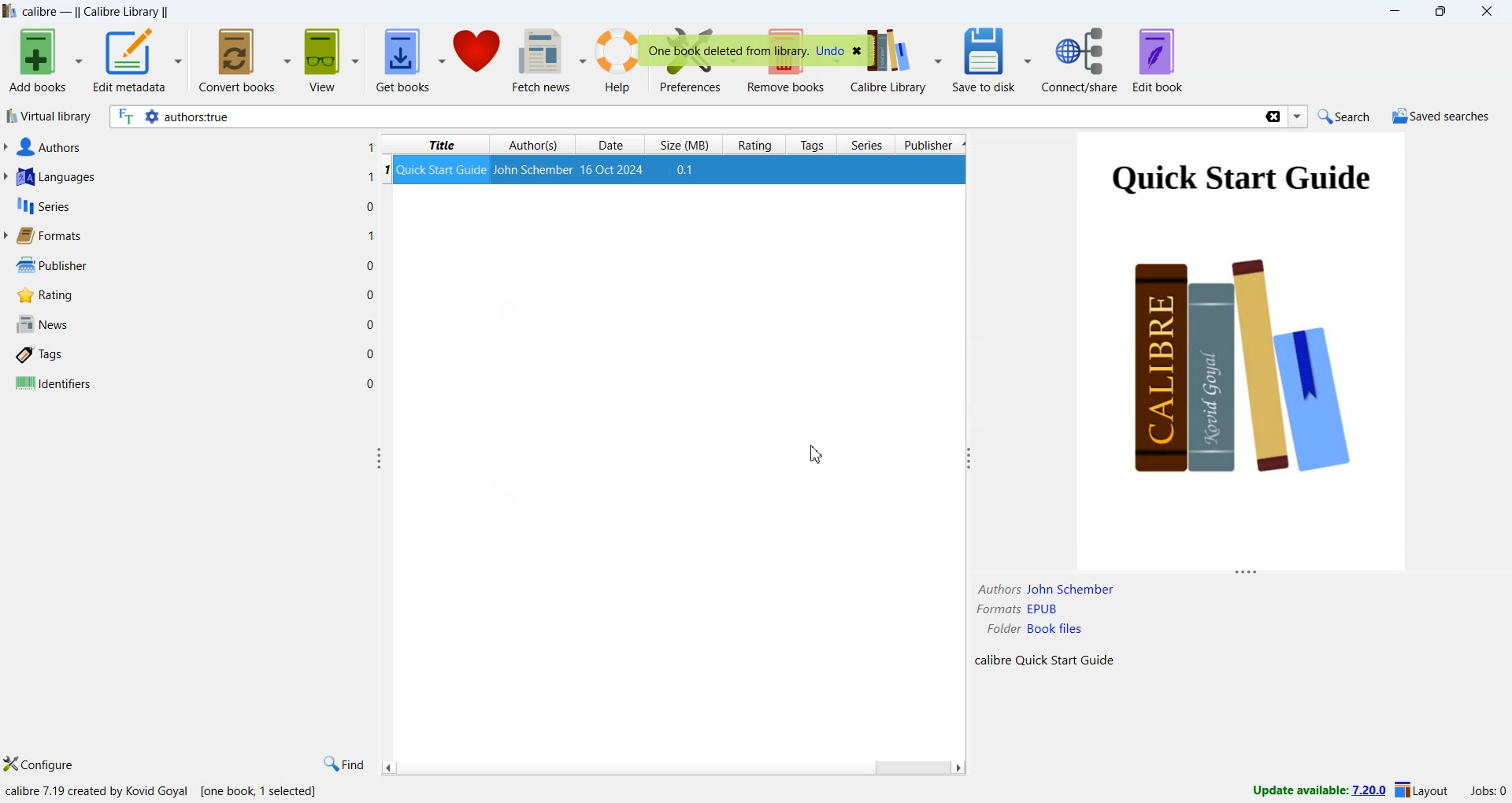 The image size is (1512, 803). I want to click on Dropdown, so click(1299, 117).